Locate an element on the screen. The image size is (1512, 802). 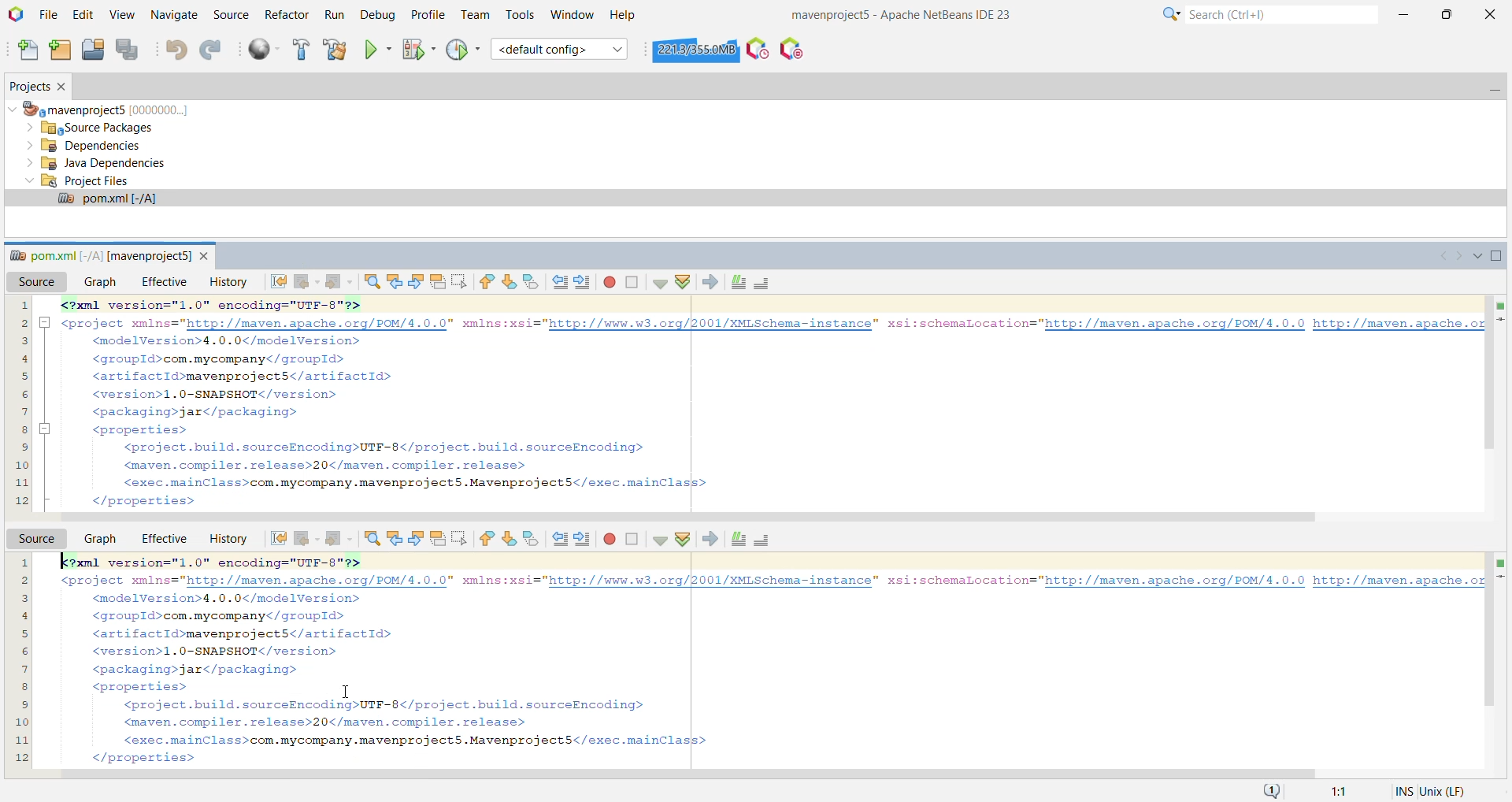
<project xmlns="http://maven.apache.org/POM/4.0.0" xmlns:xs1="http://www.w3.org/2001/XMLSchema-instance” xsi:schemalocation="http://maven.apache.org/POM/4.0.0 http://maven.apache.or is located at coordinates (773, 581).